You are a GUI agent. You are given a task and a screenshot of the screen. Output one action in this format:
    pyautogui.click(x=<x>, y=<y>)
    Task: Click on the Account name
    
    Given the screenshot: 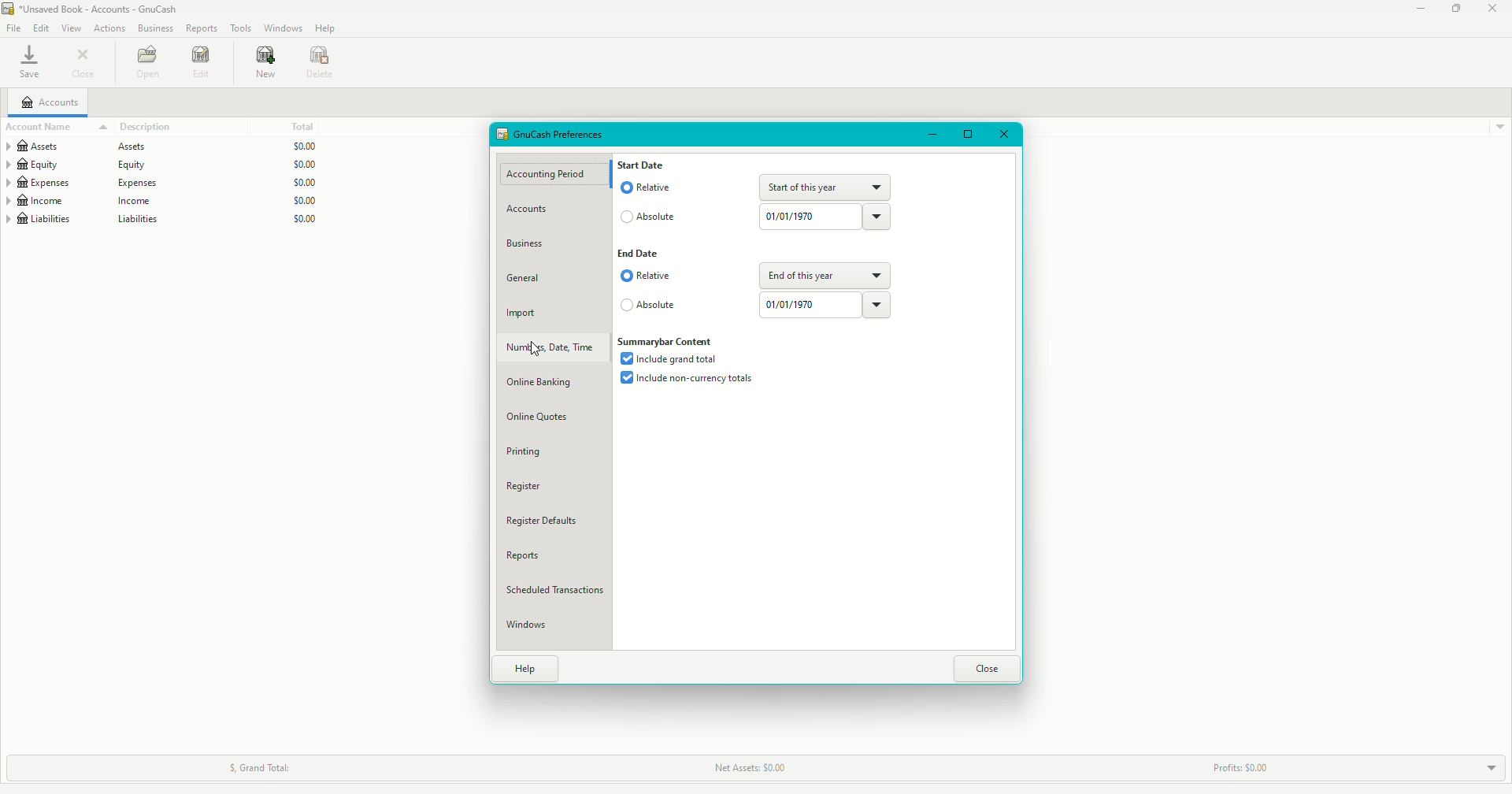 What is the action you would take?
    pyautogui.click(x=42, y=126)
    